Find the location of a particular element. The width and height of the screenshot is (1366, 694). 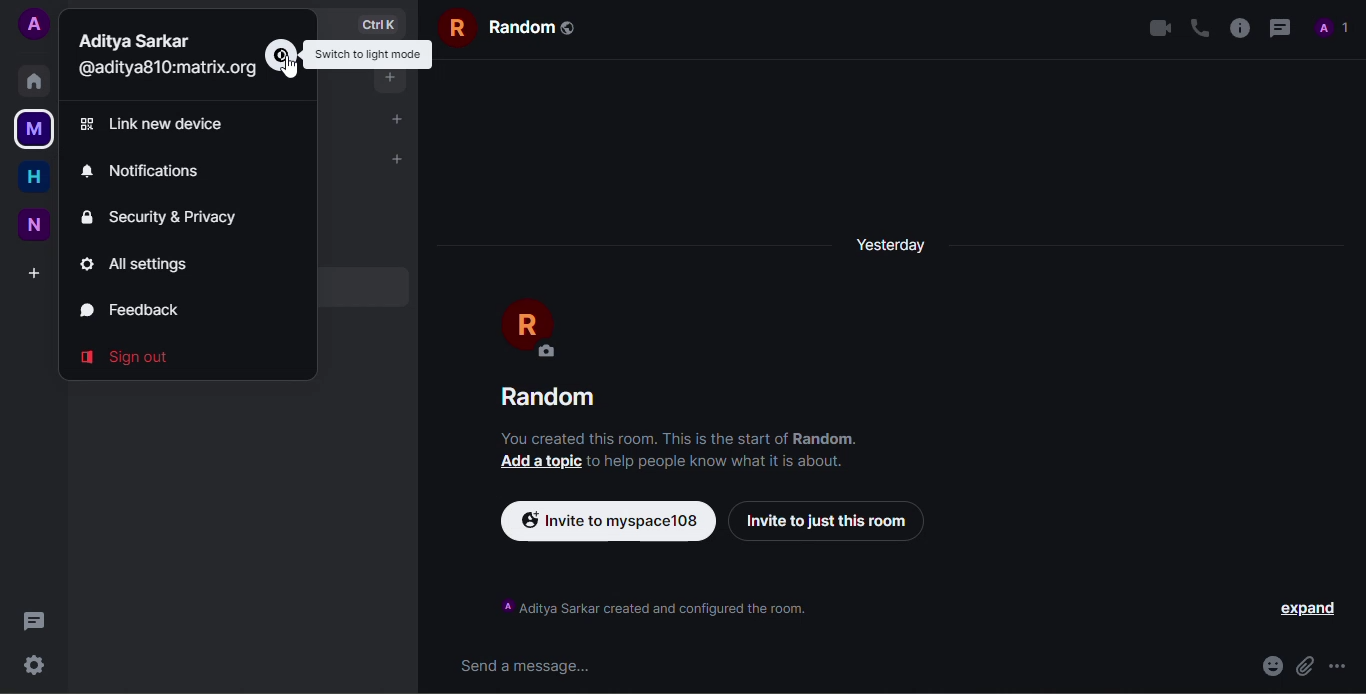

id is located at coordinates (165, 69).